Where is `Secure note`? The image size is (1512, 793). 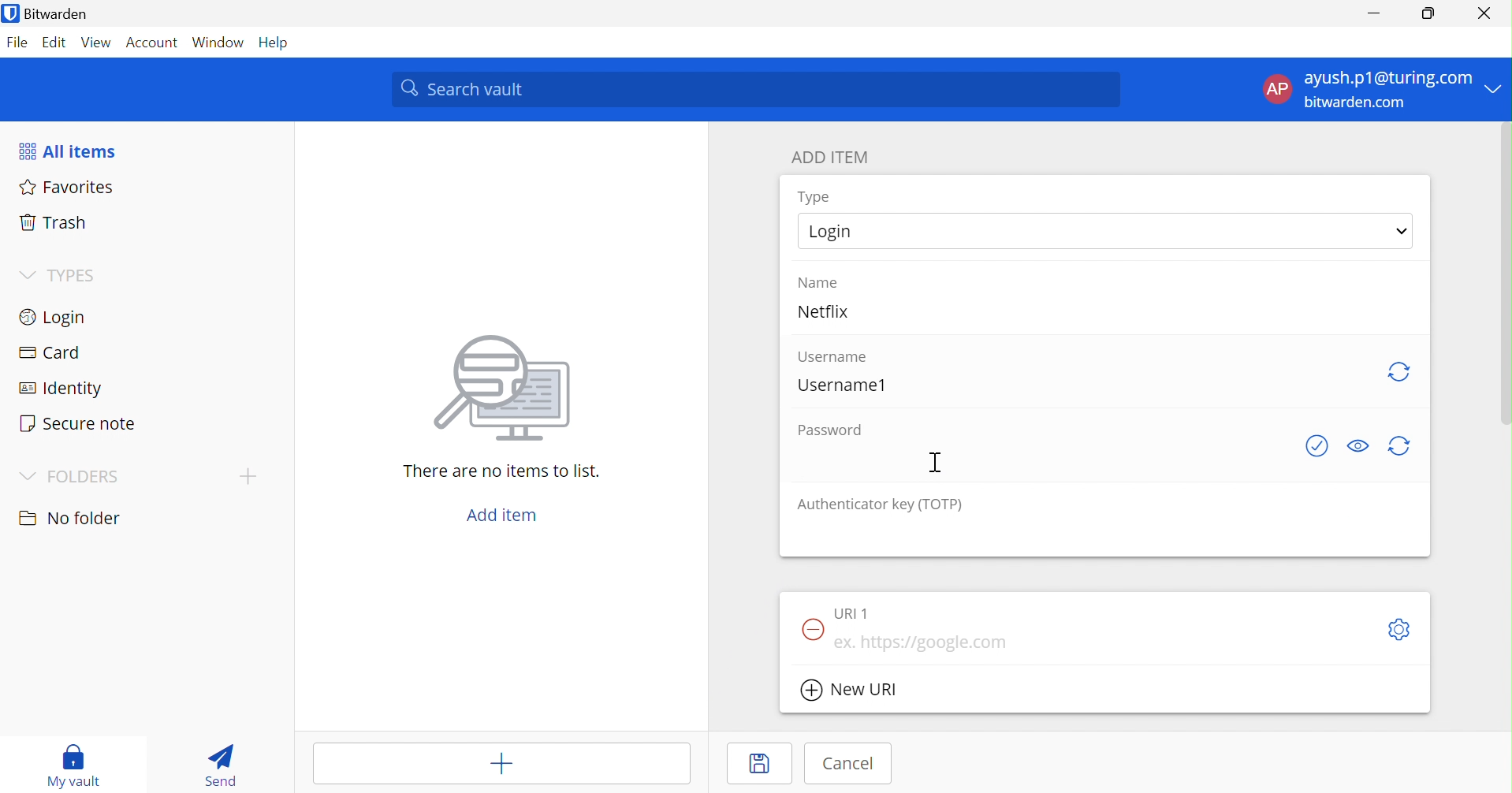 Secure note is located at coordinates (80, 422).